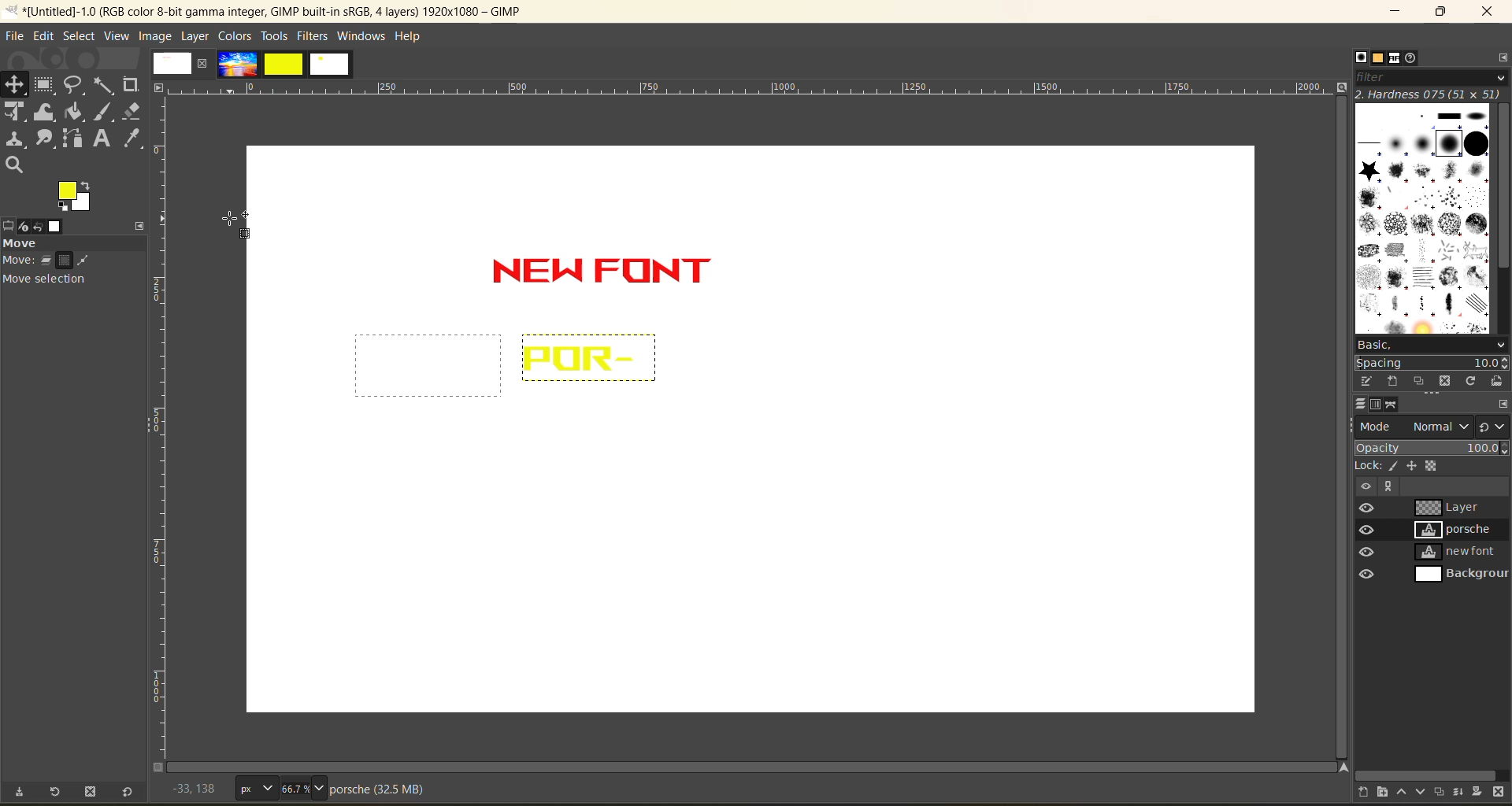  Describe the element at coordinates (1420, 790) in the screenshot. I see `lower the layer` at that location.